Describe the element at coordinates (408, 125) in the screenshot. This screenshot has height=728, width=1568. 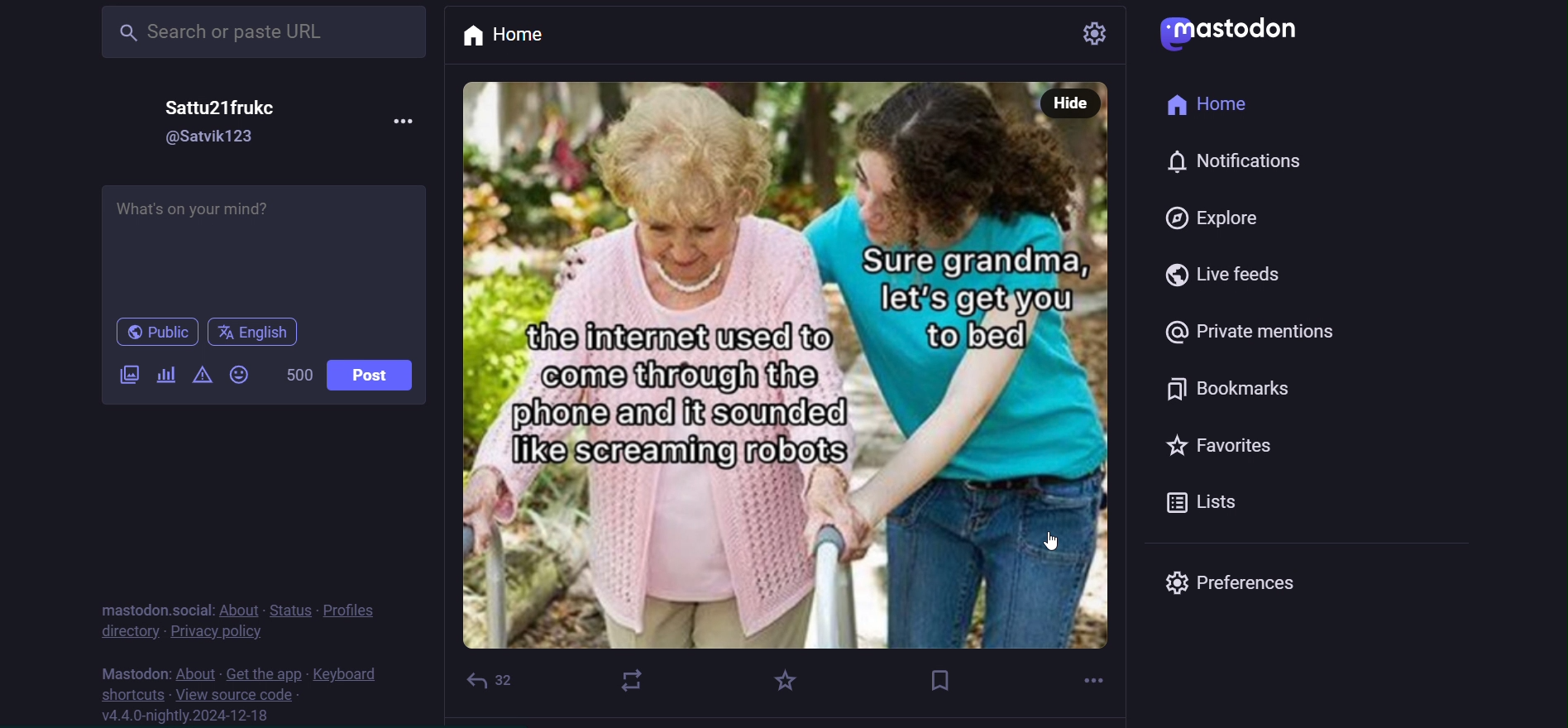
I see `more` at that location.